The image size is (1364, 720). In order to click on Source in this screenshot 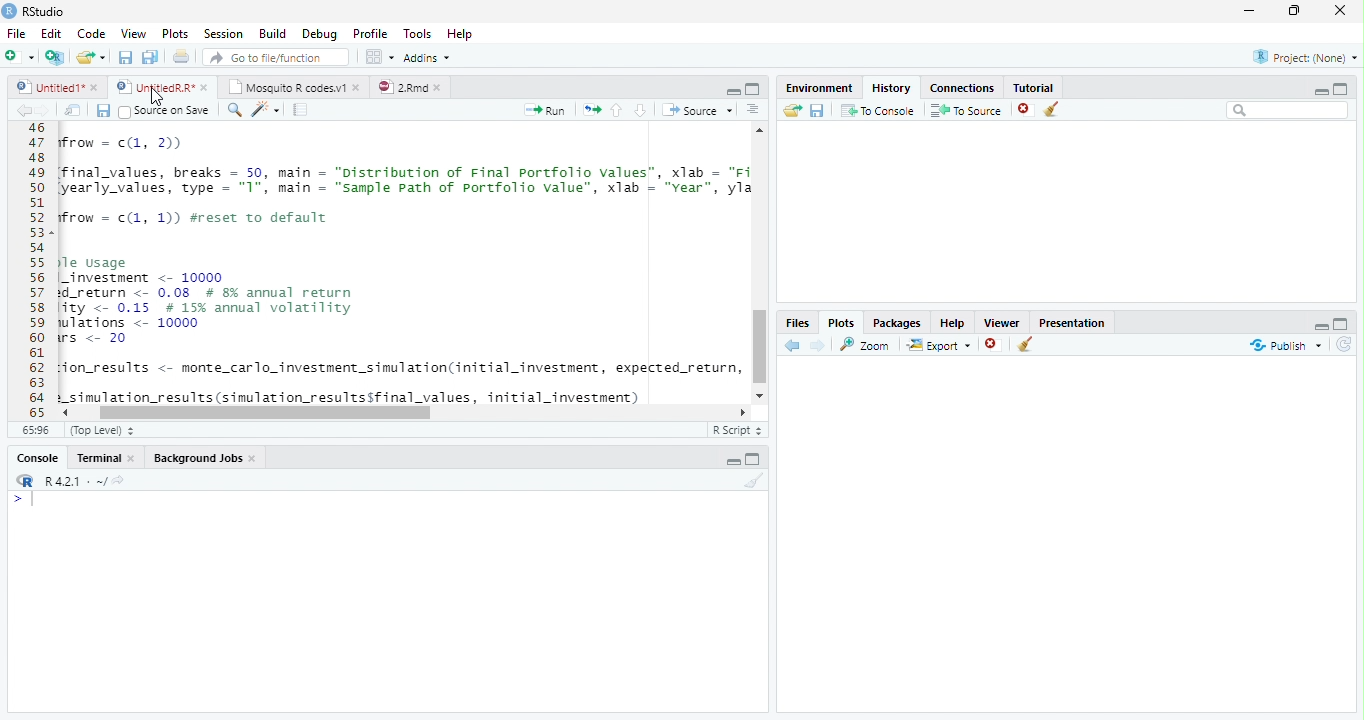, I will do `click(696, 109)`.